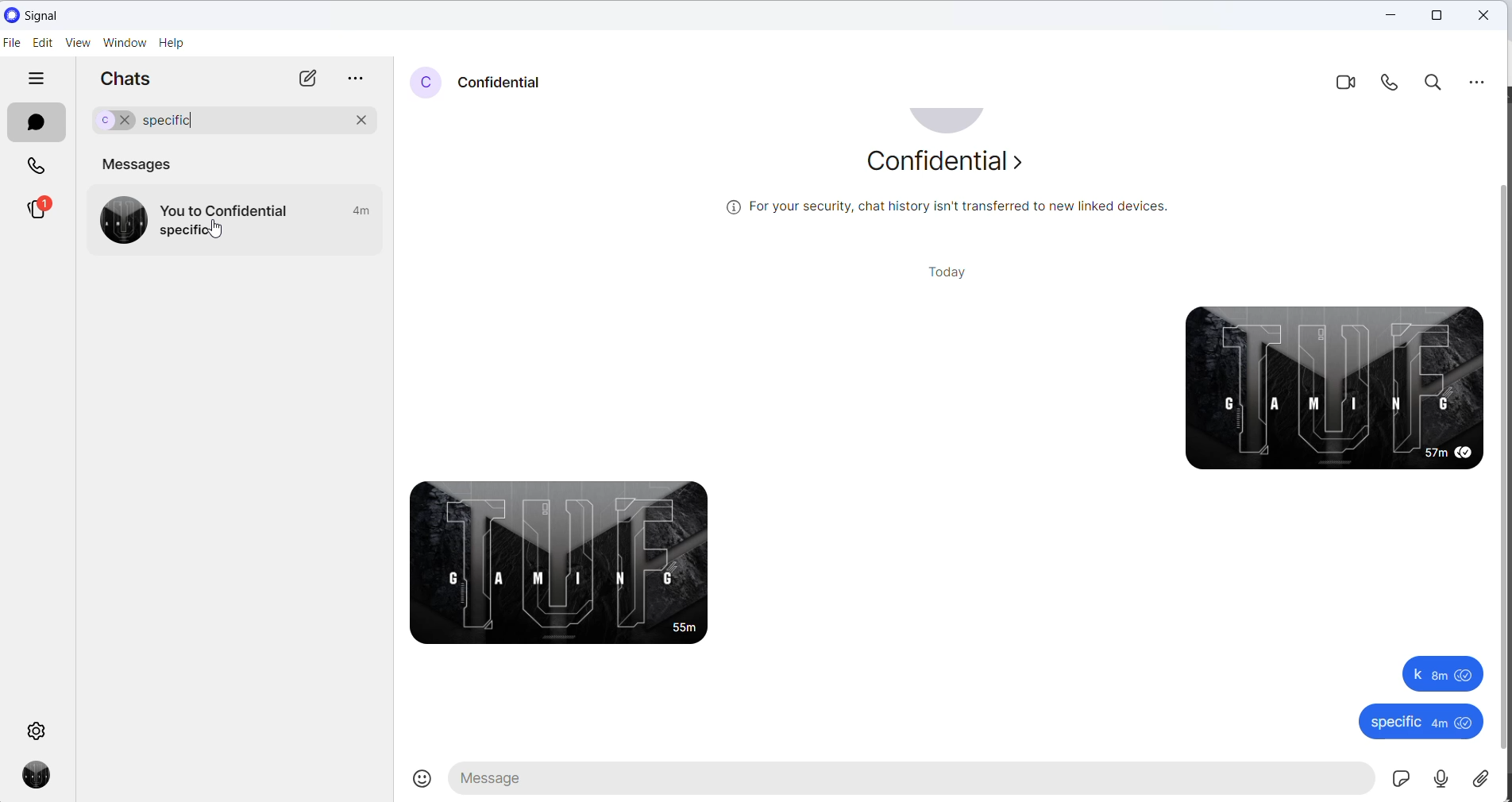  Describe the element at coordinates (39, 166) in the screenshot. I see `calls` at that location.